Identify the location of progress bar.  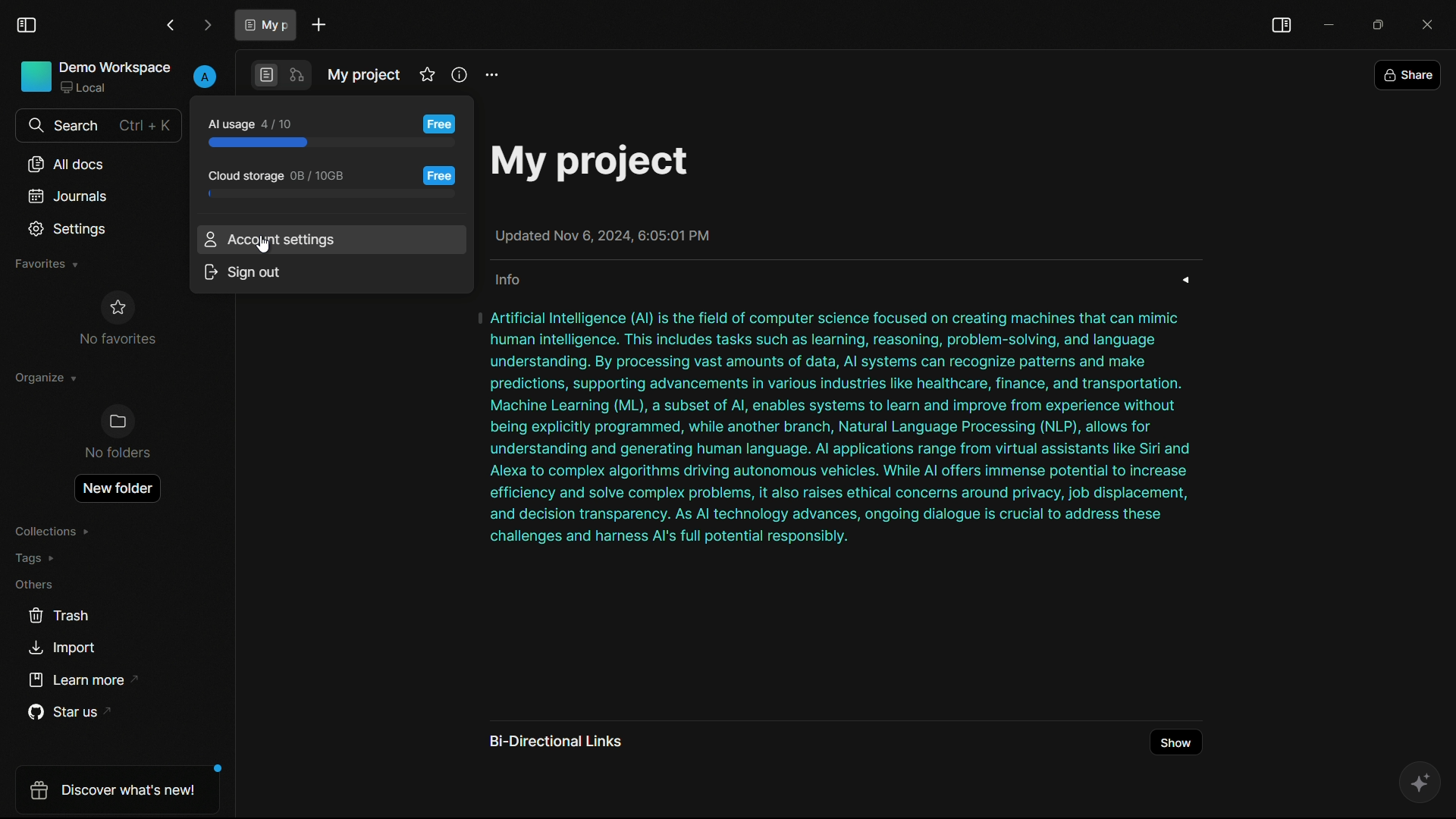
(329, 196).